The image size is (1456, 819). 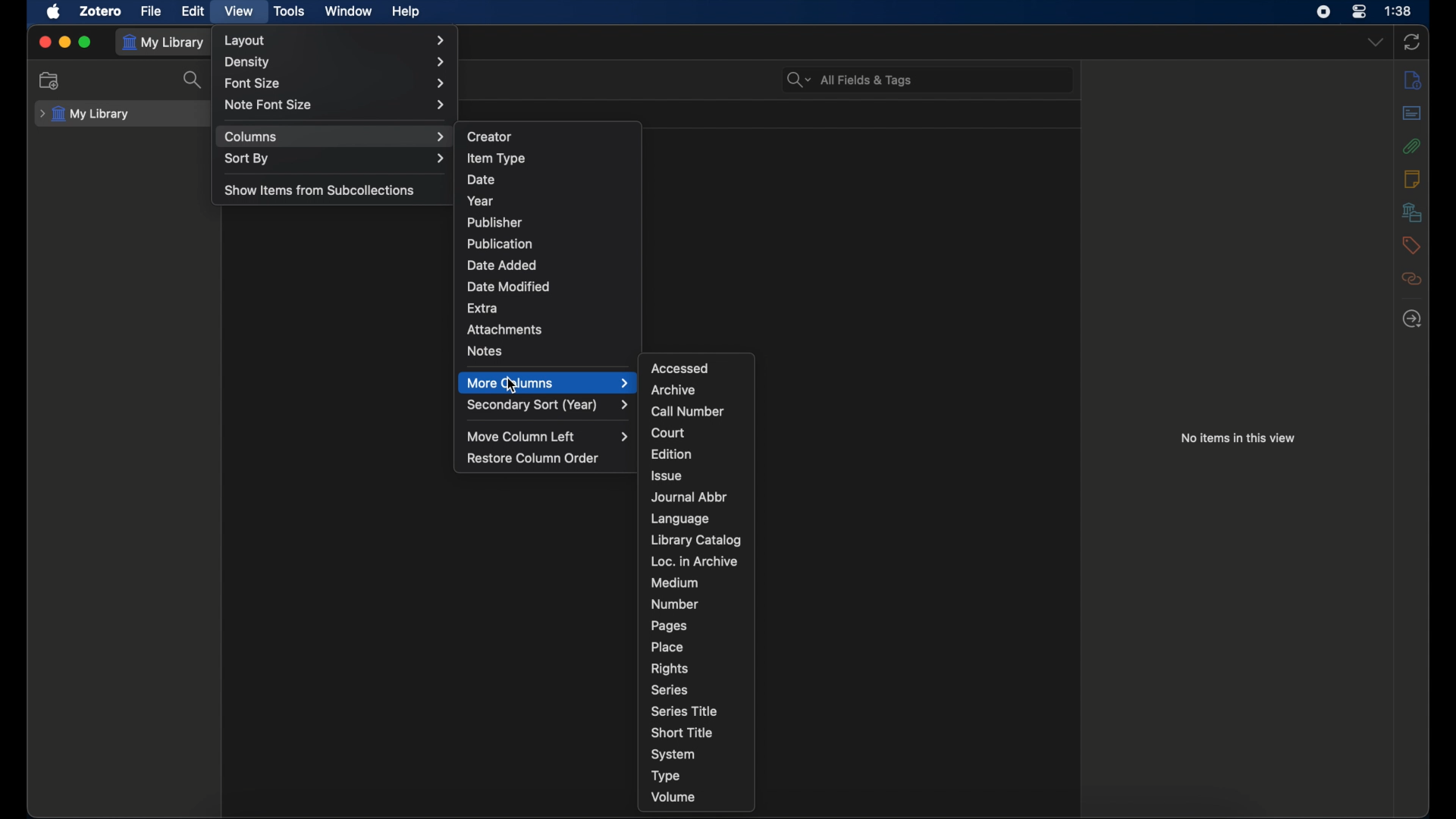 I want to click on loc. in archive, so click(x=695, y=562).